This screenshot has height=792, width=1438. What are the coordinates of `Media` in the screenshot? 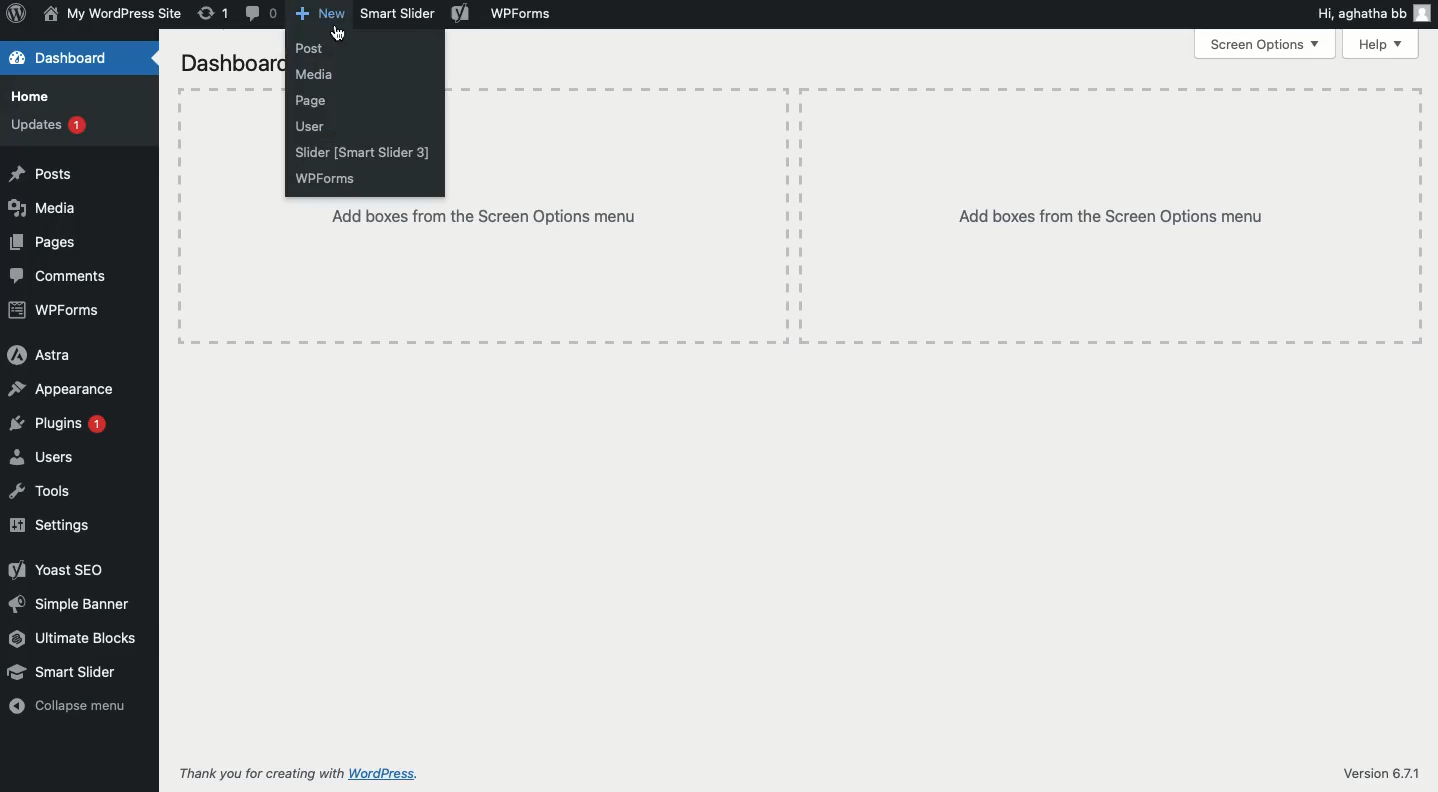 It's located at (314, 75).